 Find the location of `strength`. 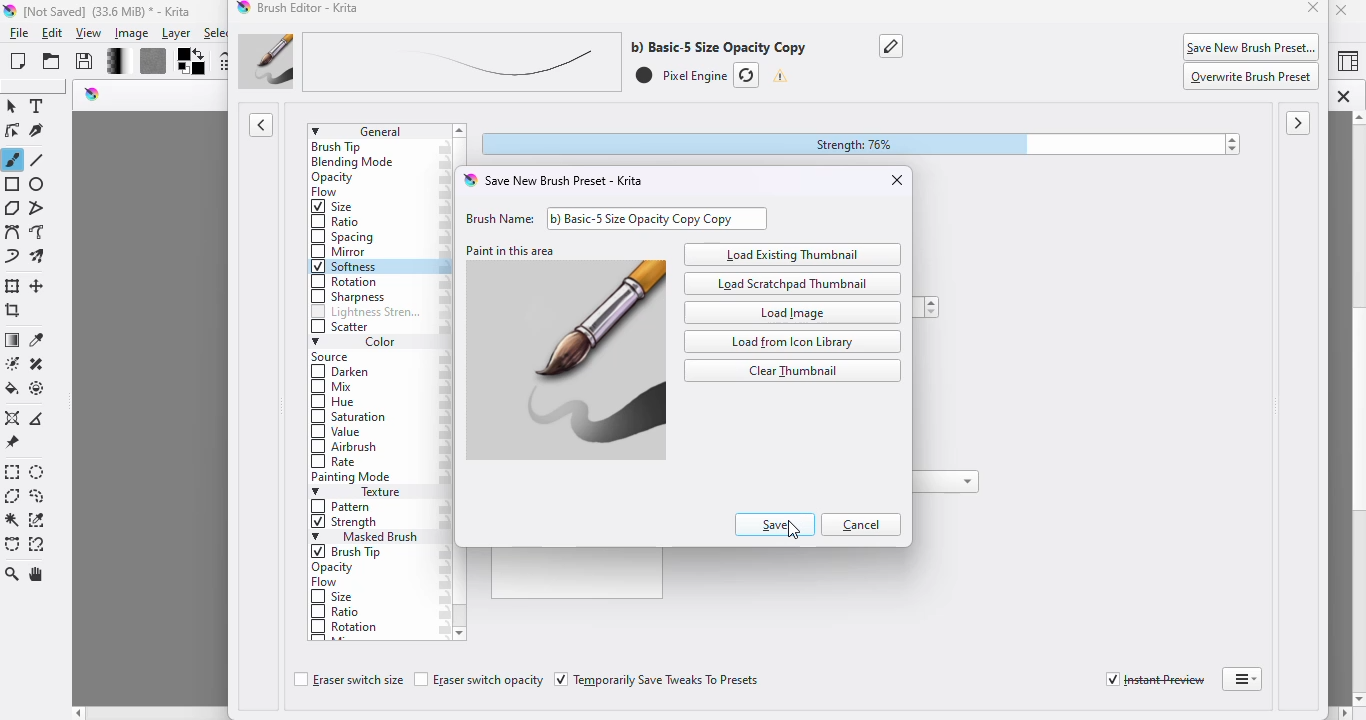

strength is located at coordinates (345, 524).